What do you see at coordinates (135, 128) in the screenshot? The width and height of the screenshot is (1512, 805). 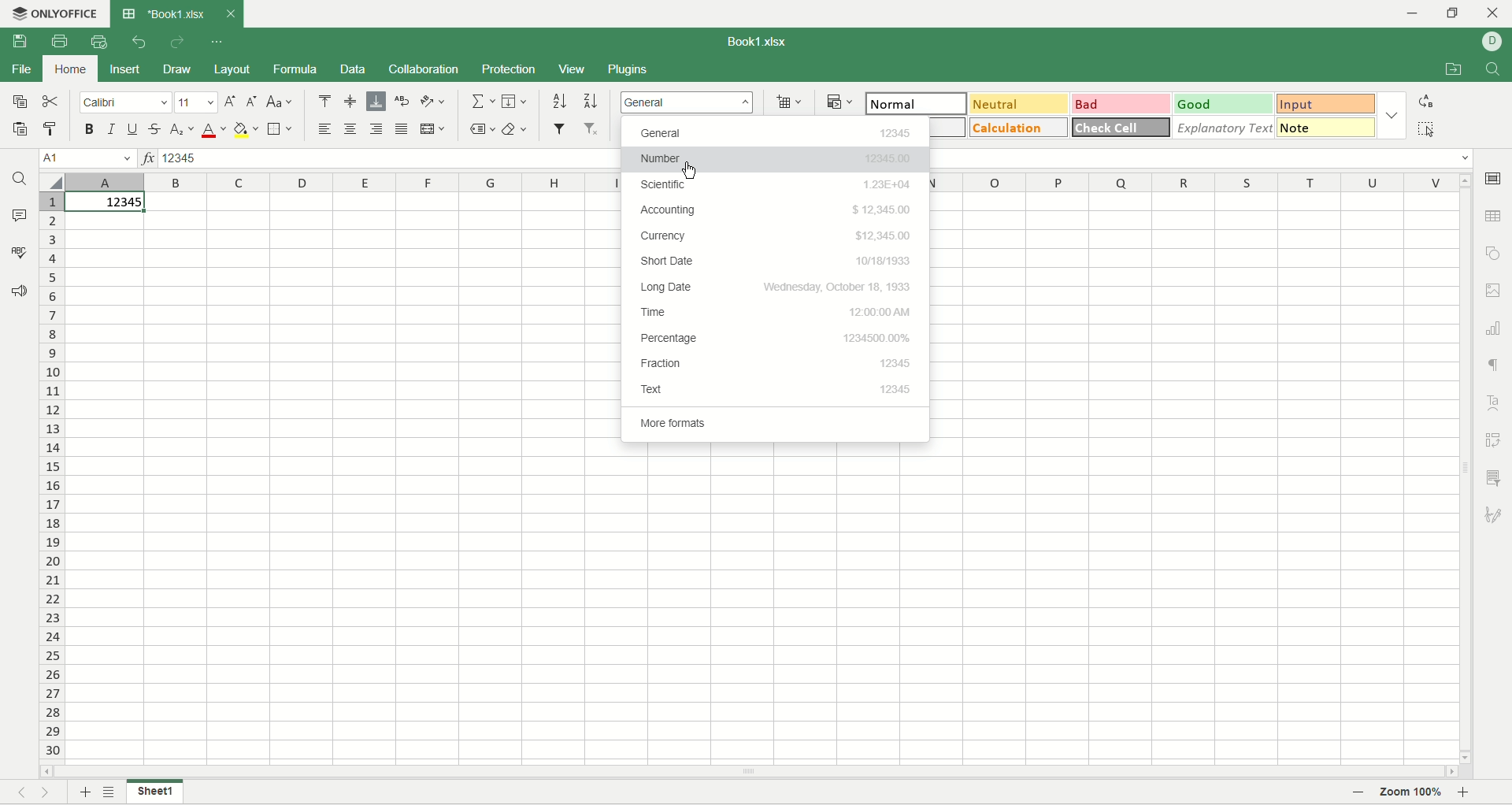 I see `underline` at bounding box center [135, 128].